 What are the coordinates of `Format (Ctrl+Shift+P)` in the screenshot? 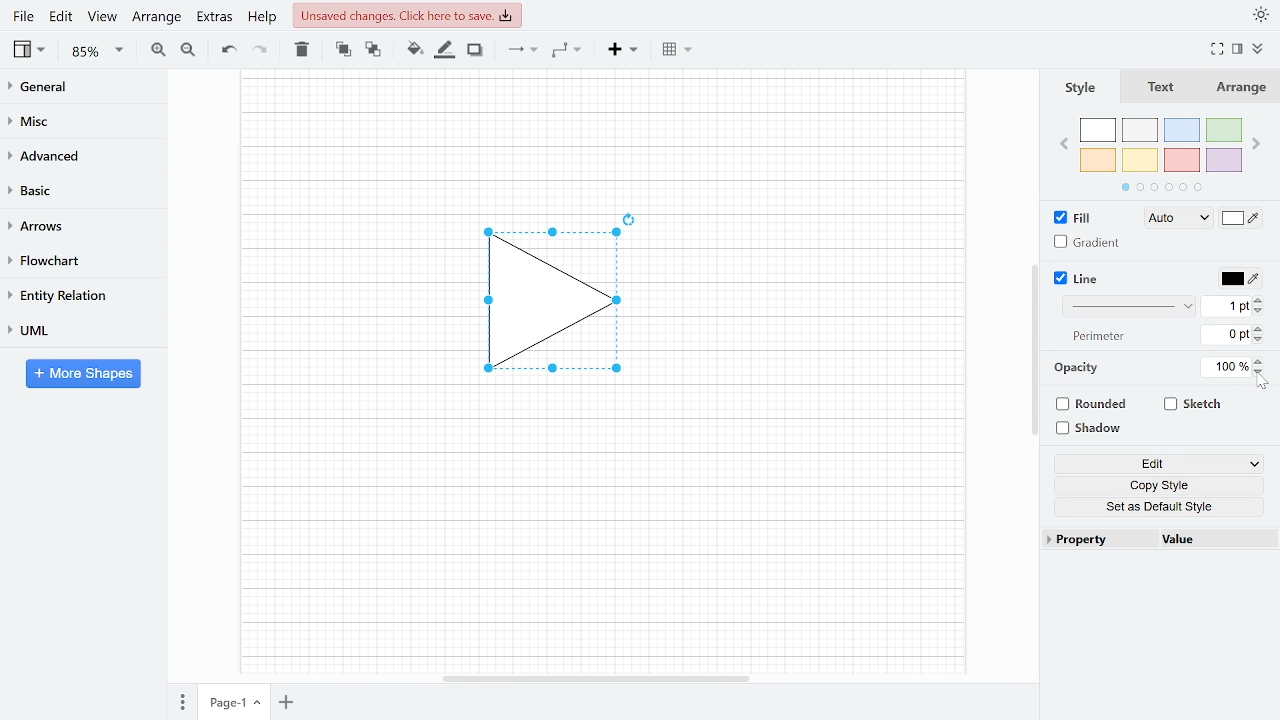 It's located at (1238, 50).